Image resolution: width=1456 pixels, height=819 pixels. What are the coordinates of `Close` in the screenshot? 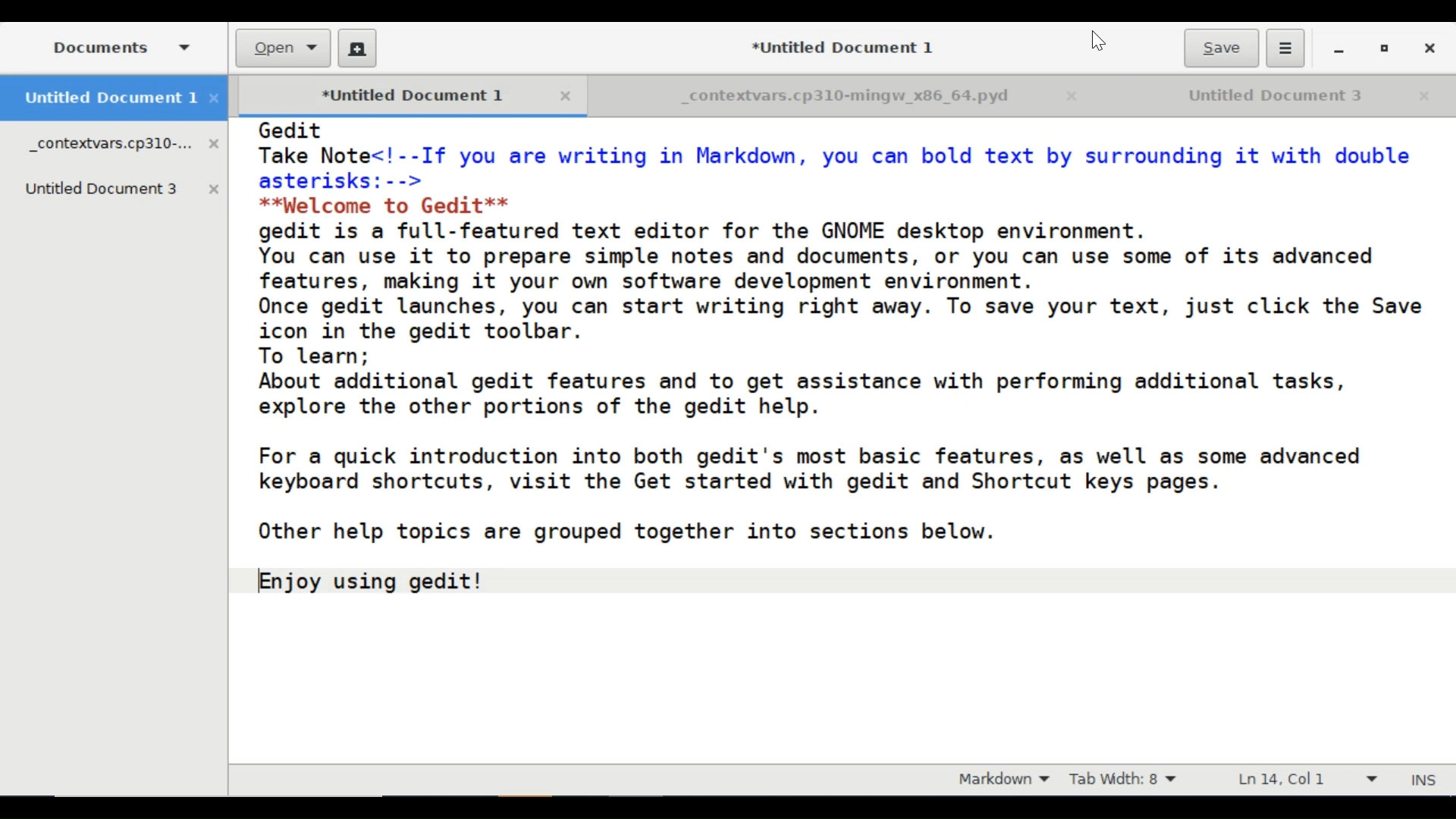 It's located at (1425, 96).